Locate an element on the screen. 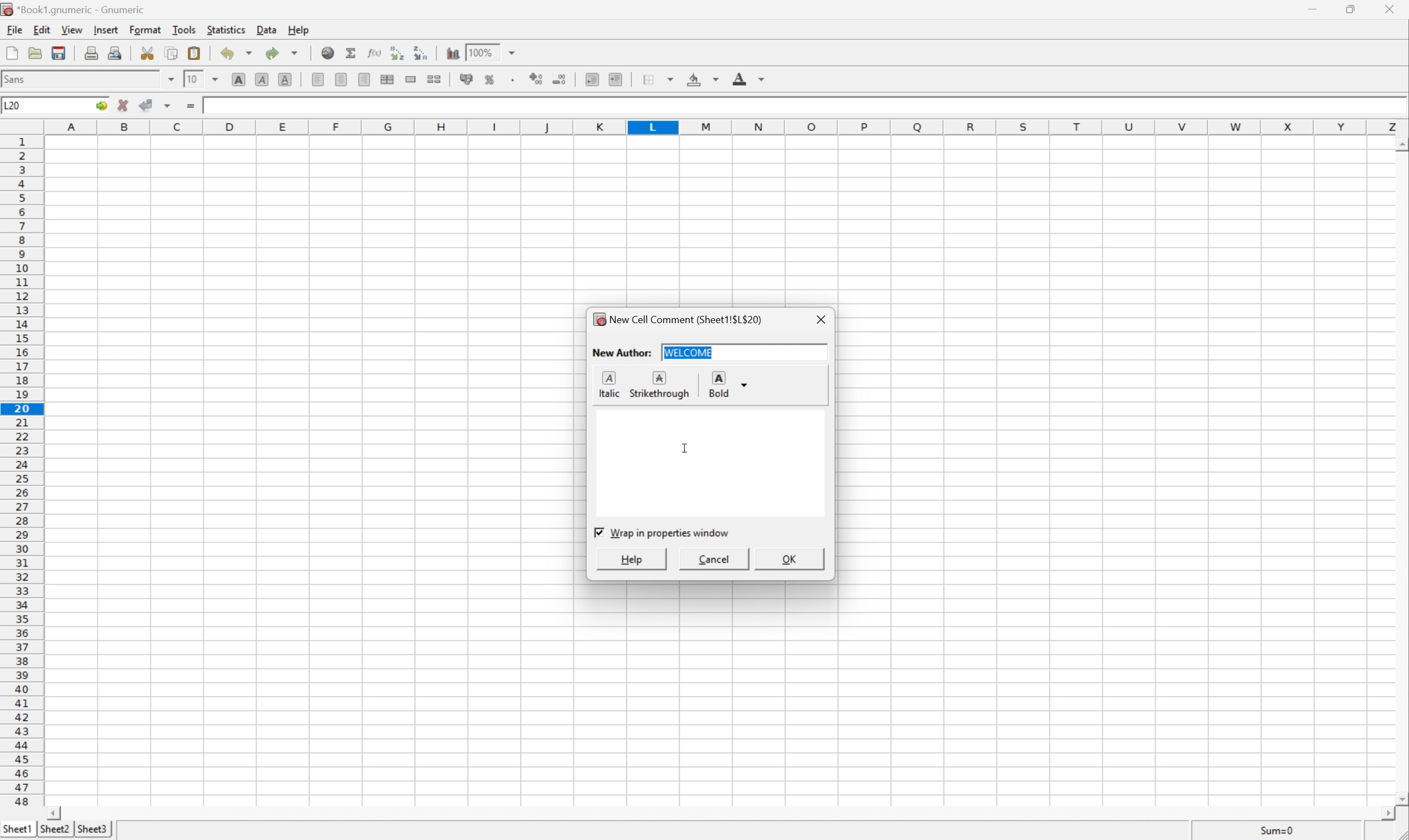 This screenshot has width=1409, height=840. Cut selection is located at coordinates (150, 52).